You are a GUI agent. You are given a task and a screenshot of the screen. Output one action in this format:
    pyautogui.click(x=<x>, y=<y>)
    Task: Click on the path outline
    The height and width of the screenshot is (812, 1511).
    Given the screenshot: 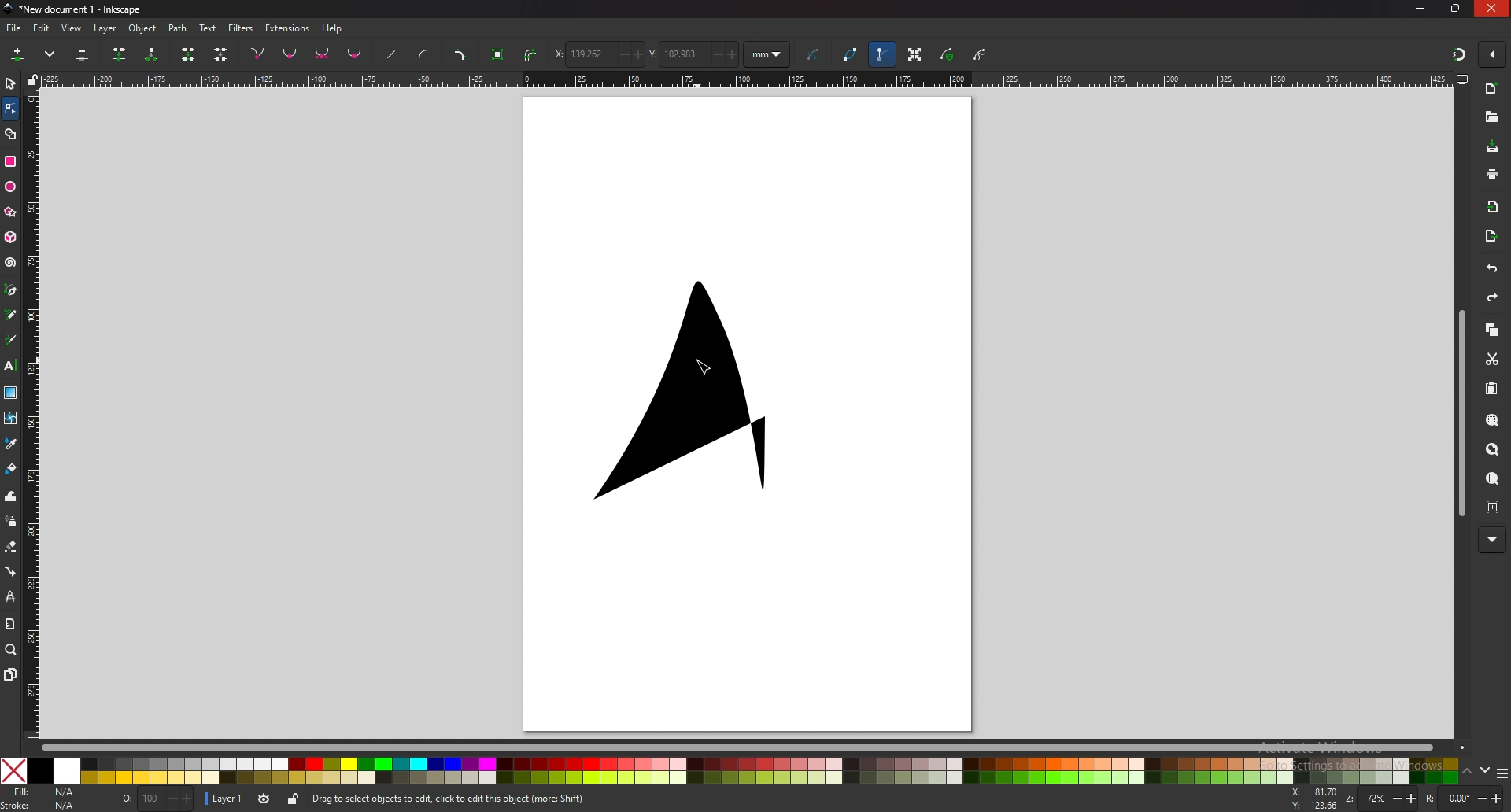 What is the action you would take?
    pyautogui.click(x=849, y=53)
    